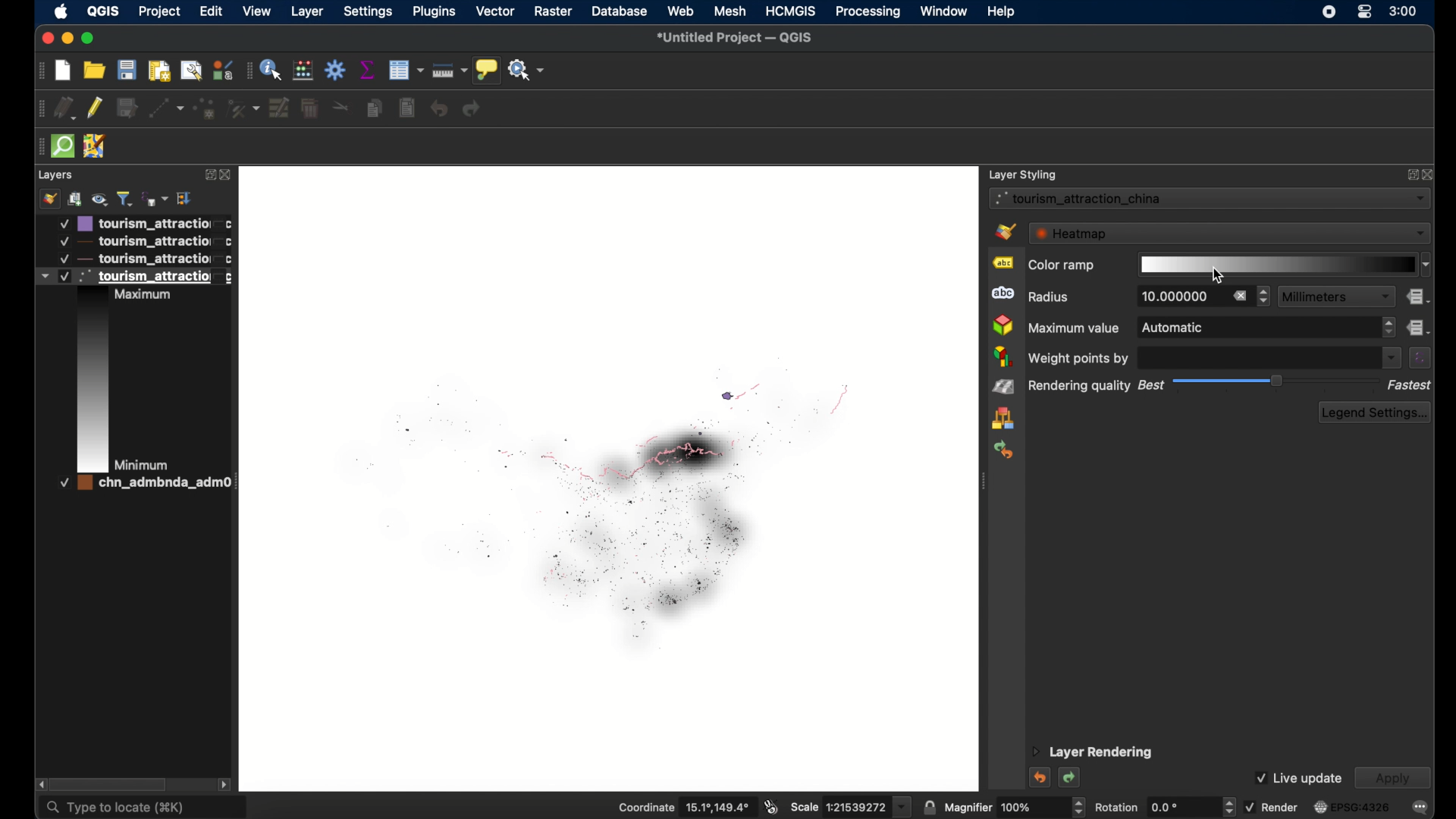  I want to click on shading rendere, so click(1003, 388).